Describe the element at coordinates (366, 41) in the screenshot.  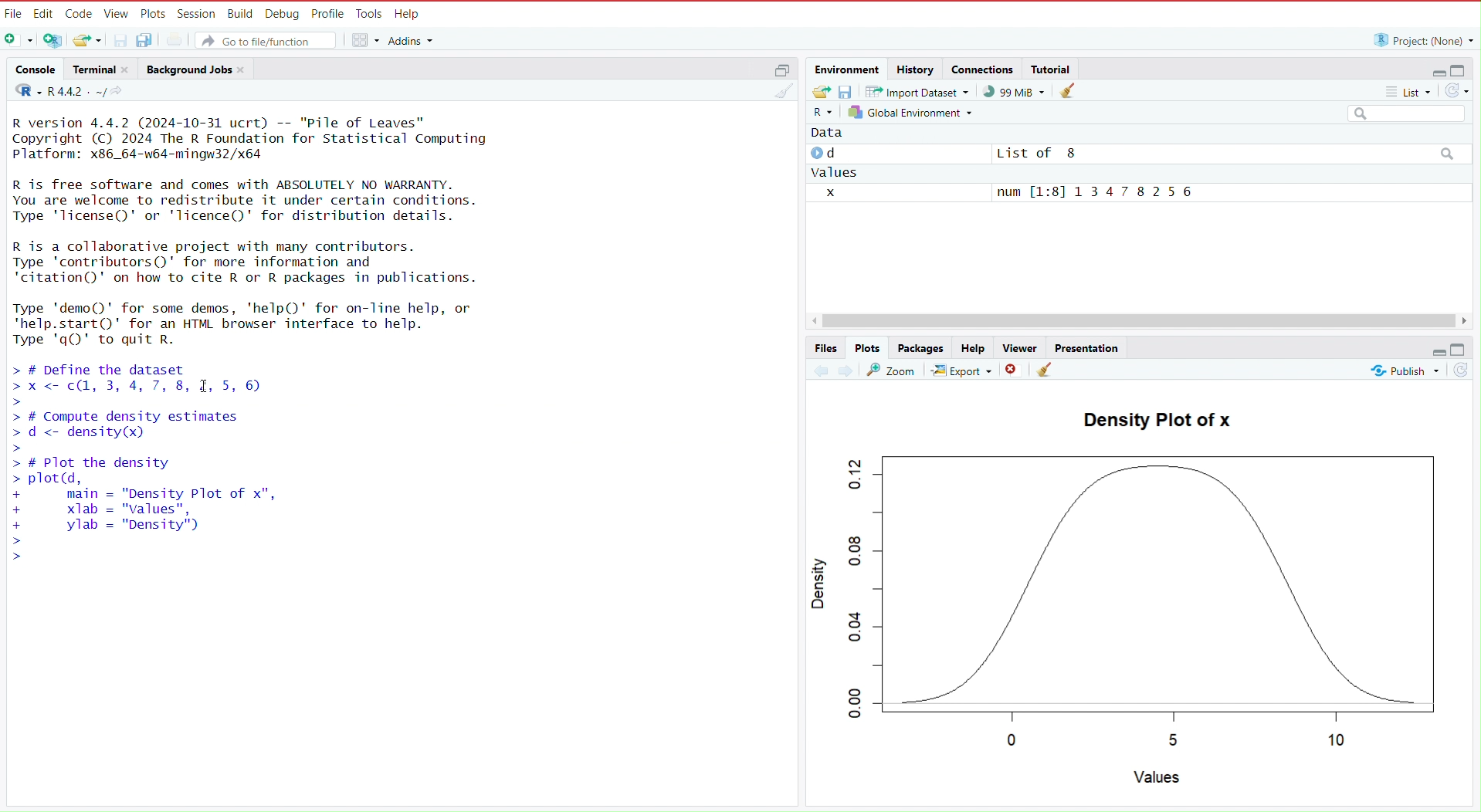
I see `workspace panes` at that location.